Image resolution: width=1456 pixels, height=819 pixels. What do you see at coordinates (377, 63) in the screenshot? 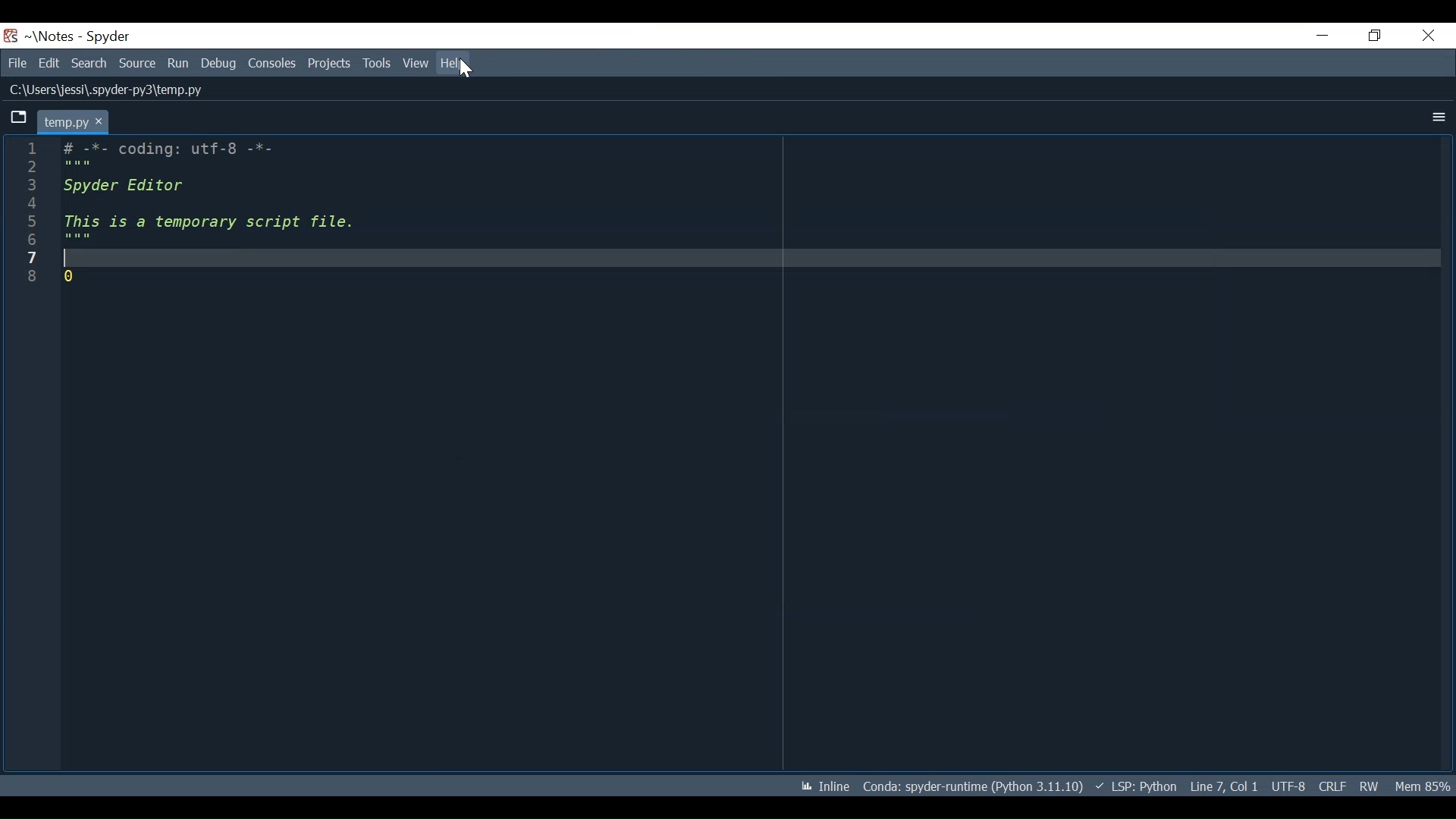
I see `Tools` at bounding box center [377, 63].